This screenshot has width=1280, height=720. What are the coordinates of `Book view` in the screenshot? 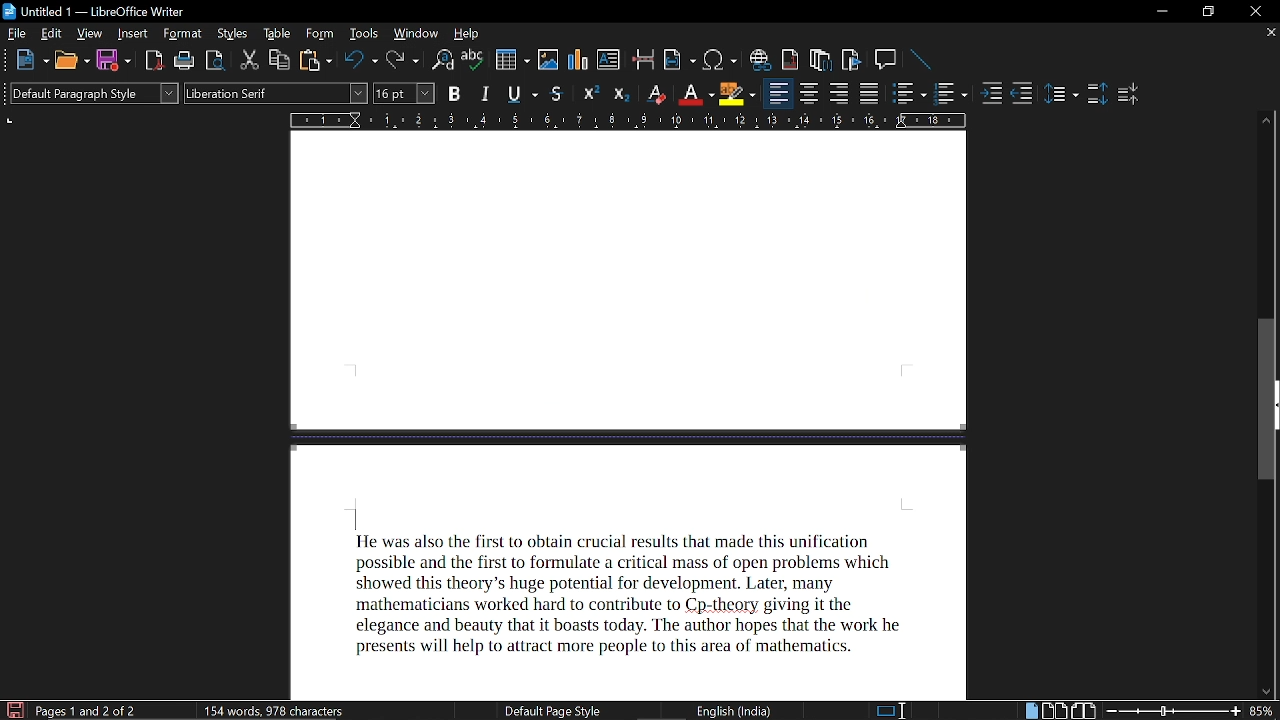 It's located at (1086, 711).